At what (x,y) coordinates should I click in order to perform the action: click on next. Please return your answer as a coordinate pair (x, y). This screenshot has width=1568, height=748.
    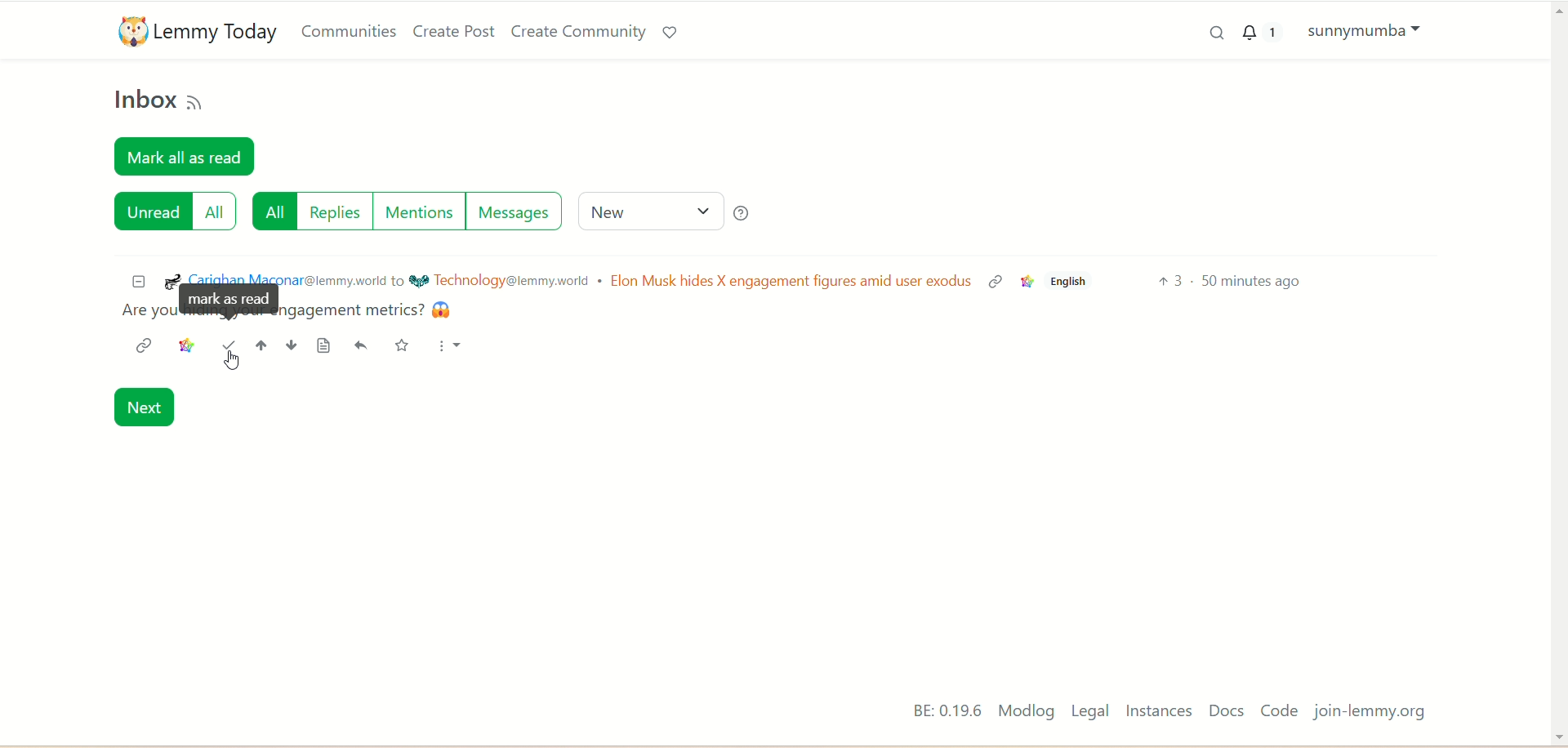
    Looking at the image, I should click on (149, 406).